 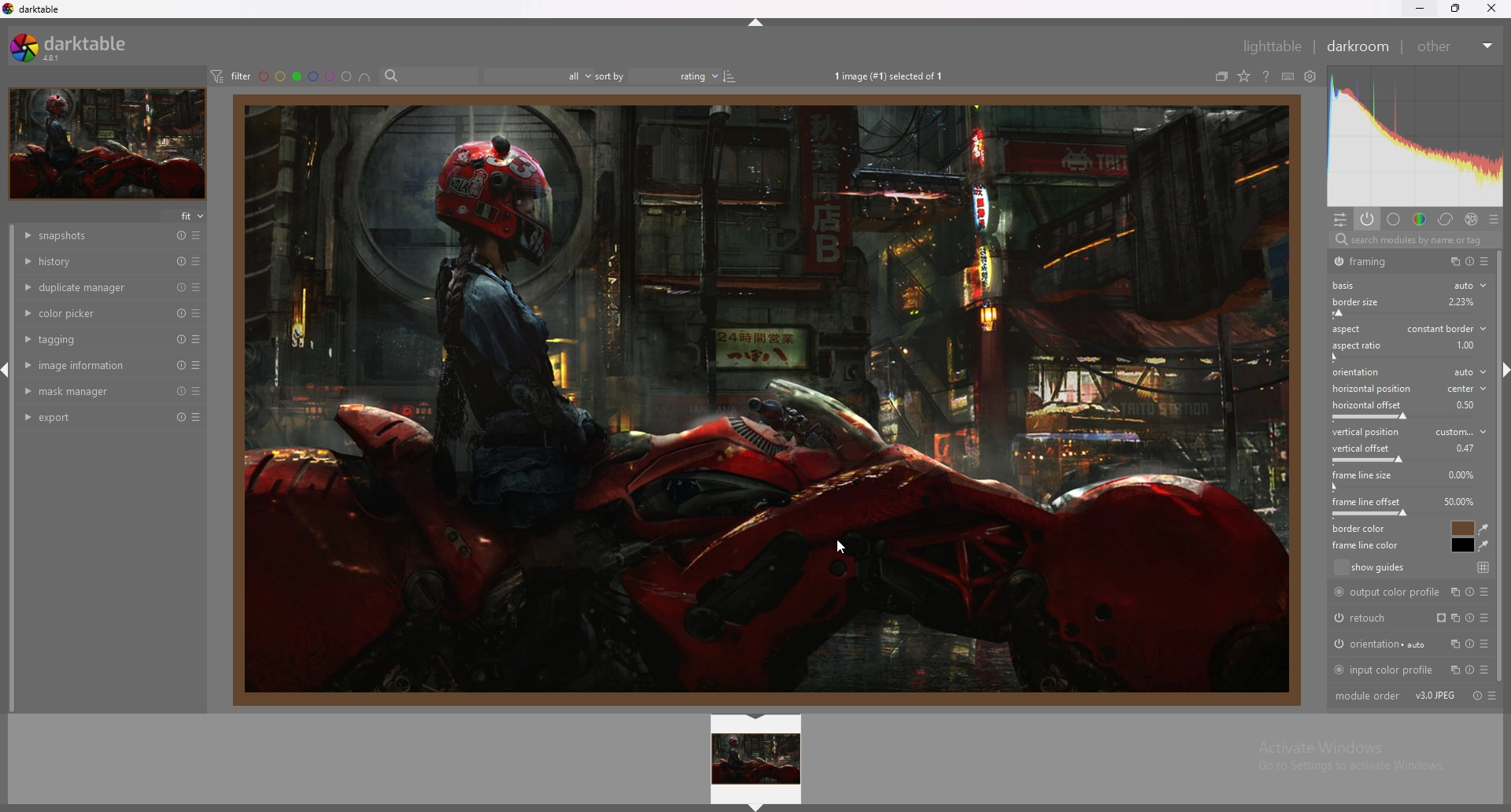 I want to click on presets, so click(x=198, y=235).